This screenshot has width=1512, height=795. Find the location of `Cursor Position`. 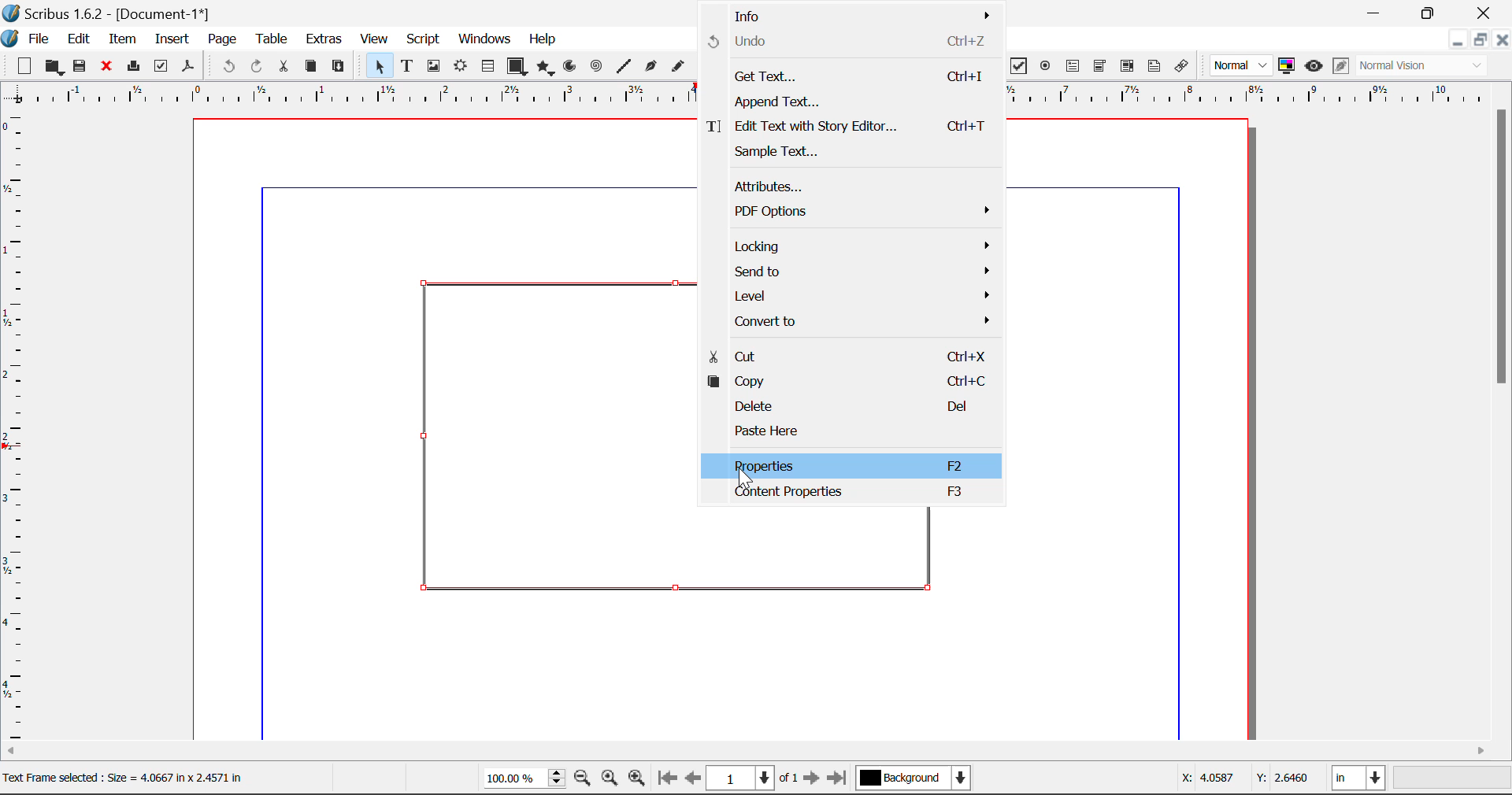

Cursor Position is located at coordinates (741, 471).